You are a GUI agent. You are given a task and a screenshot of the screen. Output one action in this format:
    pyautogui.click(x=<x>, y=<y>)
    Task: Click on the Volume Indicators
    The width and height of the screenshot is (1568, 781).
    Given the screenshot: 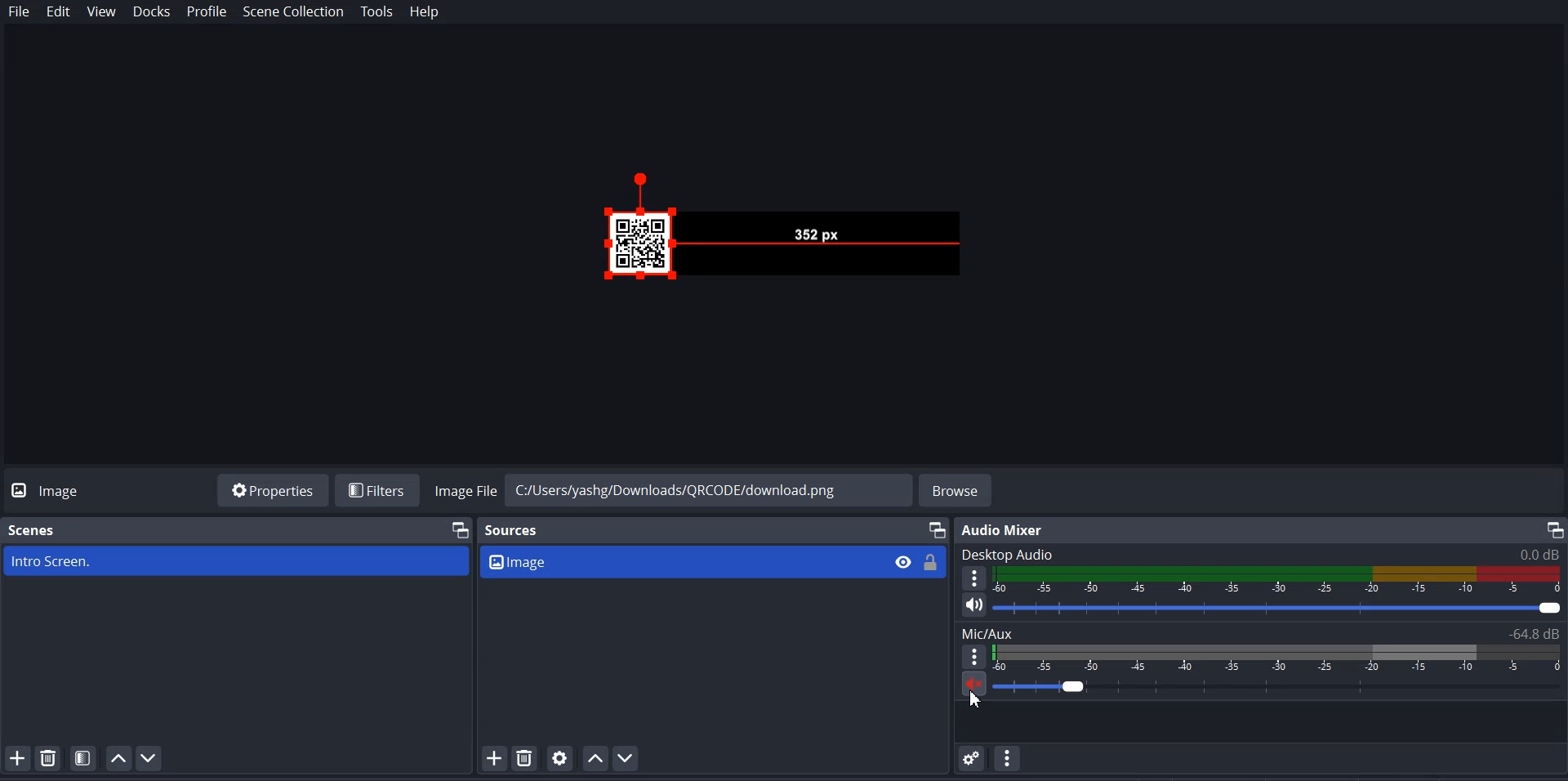 What is the action you would take?
    pyautogui.click(x=1279, y=658)
    